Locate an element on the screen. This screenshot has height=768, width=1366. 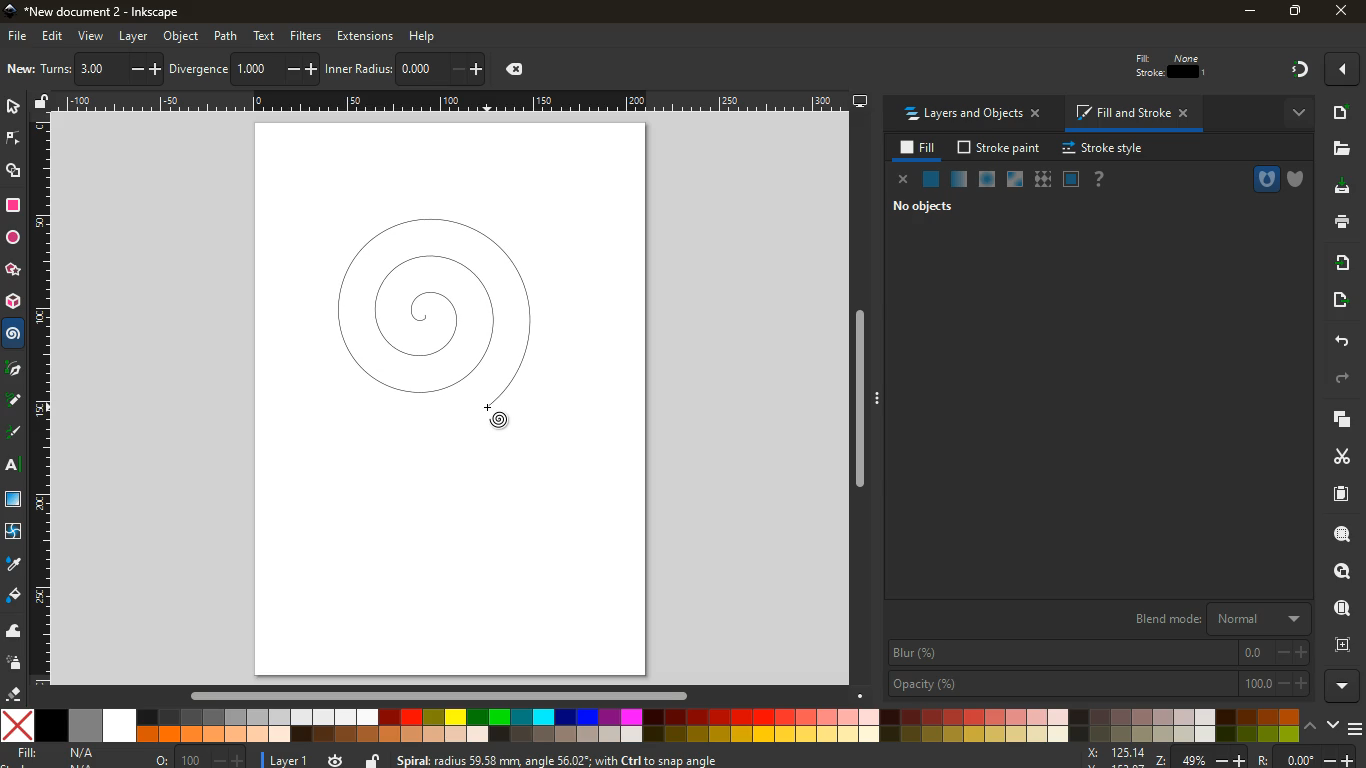
blur is located at coordinates (1098, 653).